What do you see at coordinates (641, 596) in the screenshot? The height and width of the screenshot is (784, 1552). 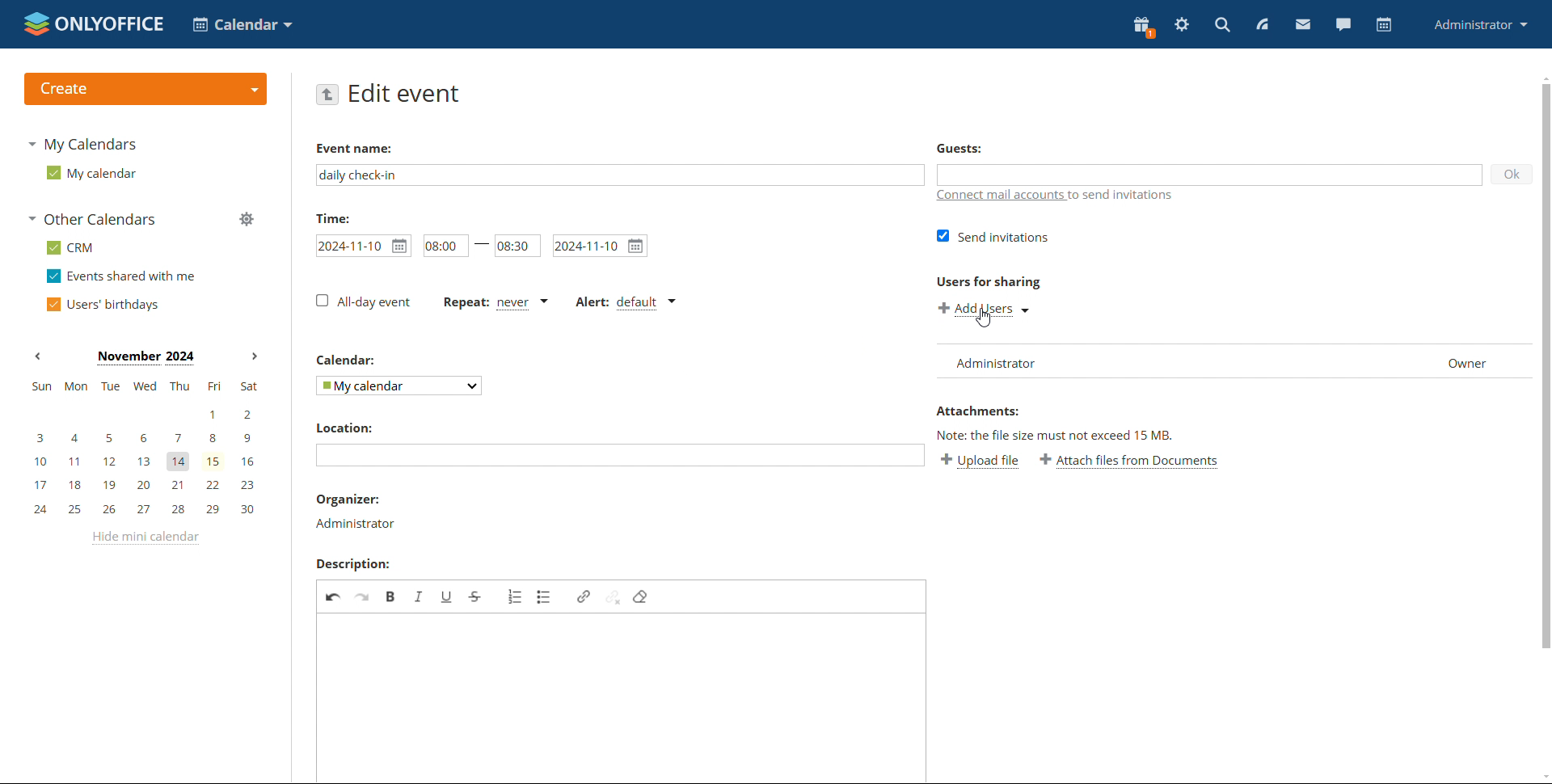 I see `remove format` at bounding box center [641, 596].